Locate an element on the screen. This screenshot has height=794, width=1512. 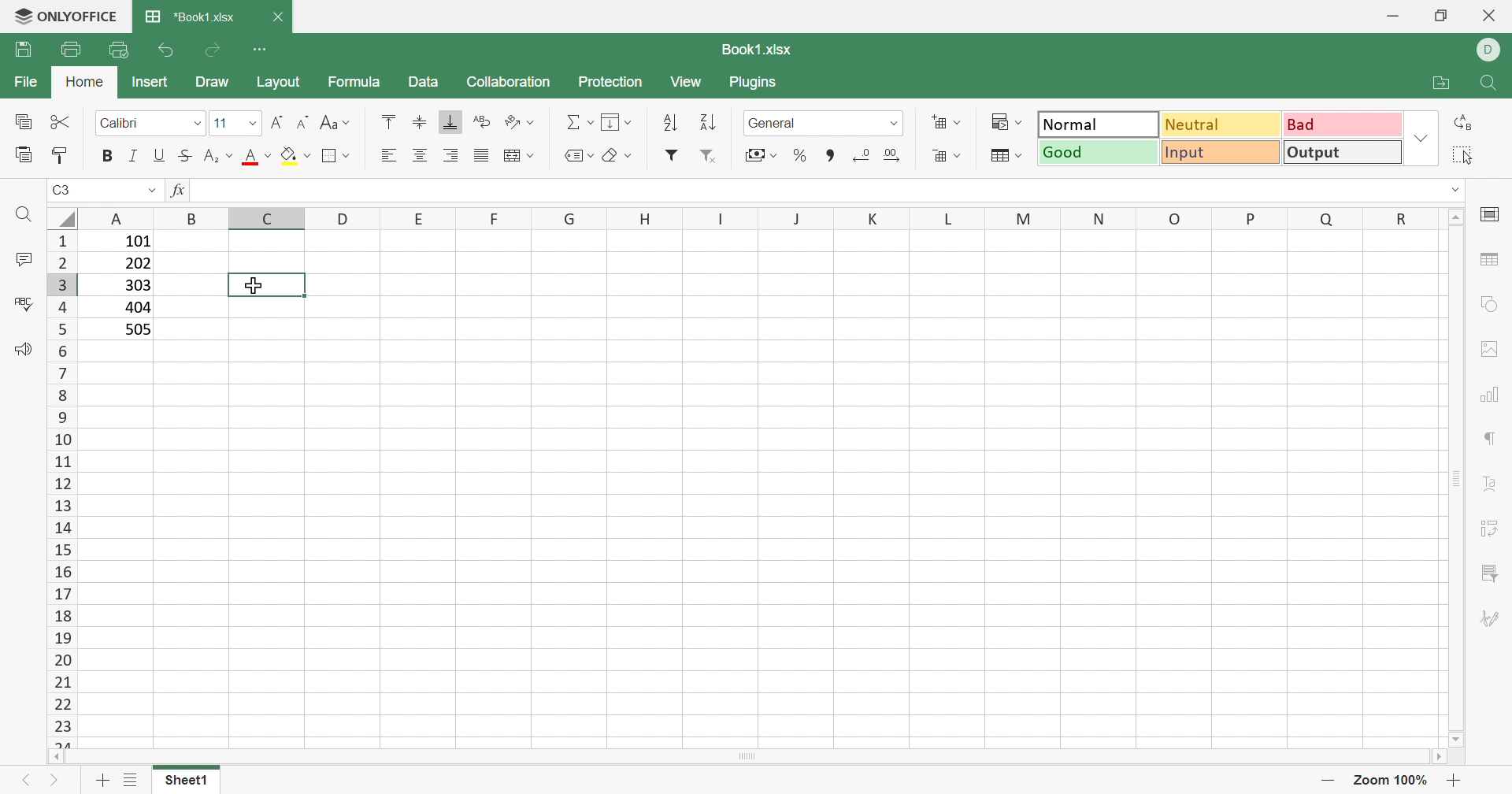
Ascending order is located at coordinates (675, 123).